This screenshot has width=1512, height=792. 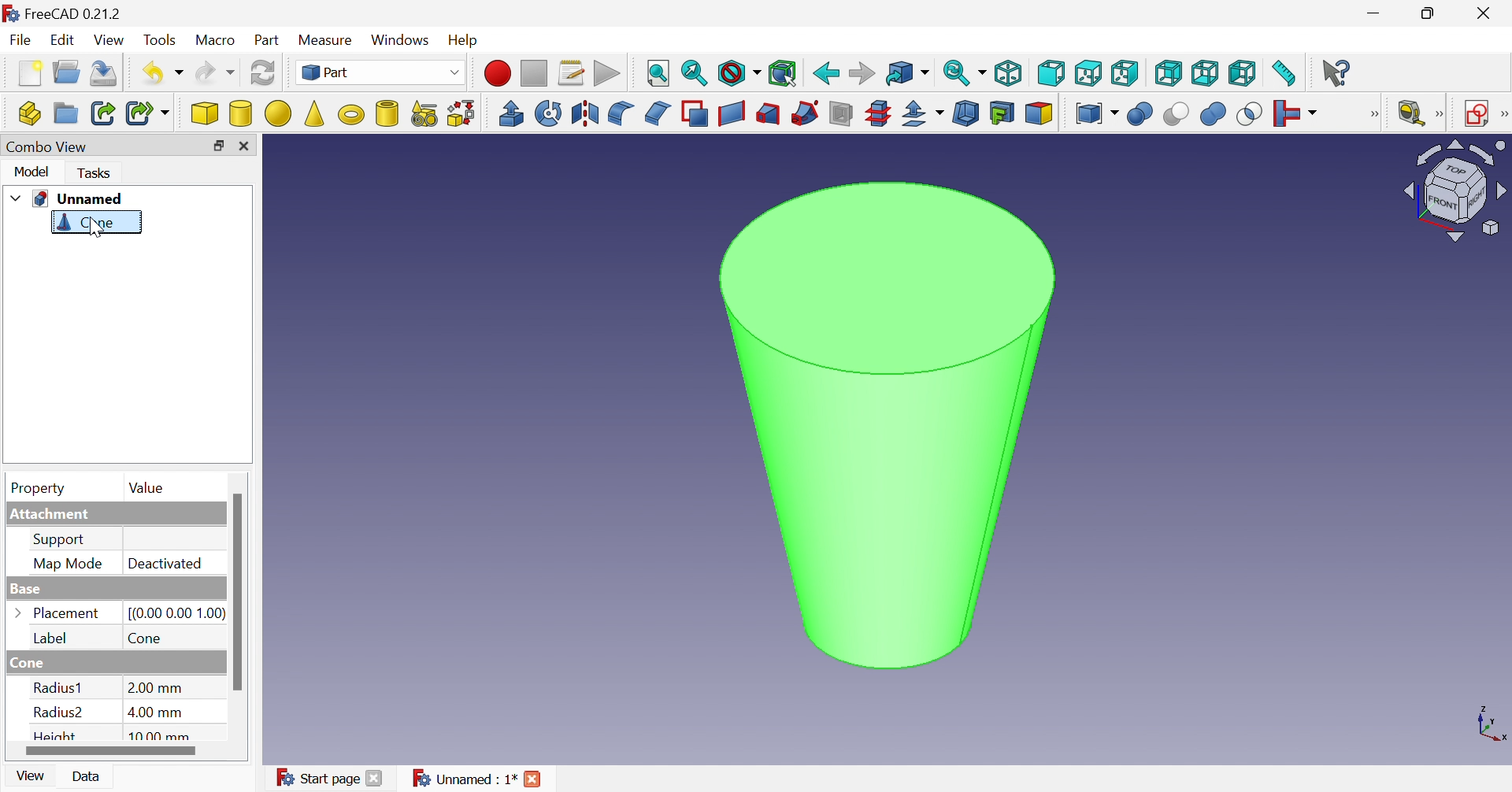 I want to click on Restore down, so click(x=220, y=146).